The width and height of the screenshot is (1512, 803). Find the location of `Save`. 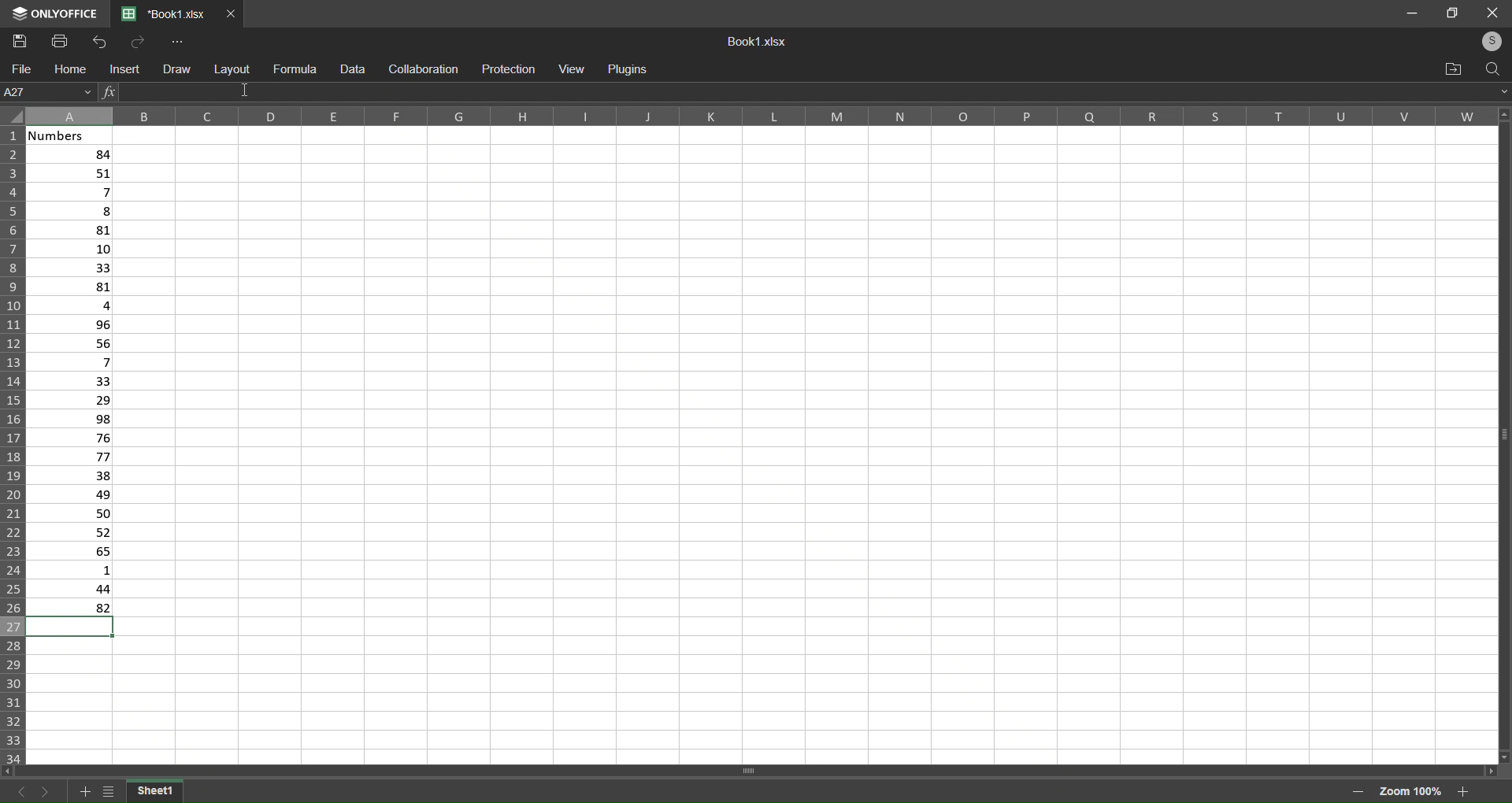

Save is located at coordinates (21, 40).